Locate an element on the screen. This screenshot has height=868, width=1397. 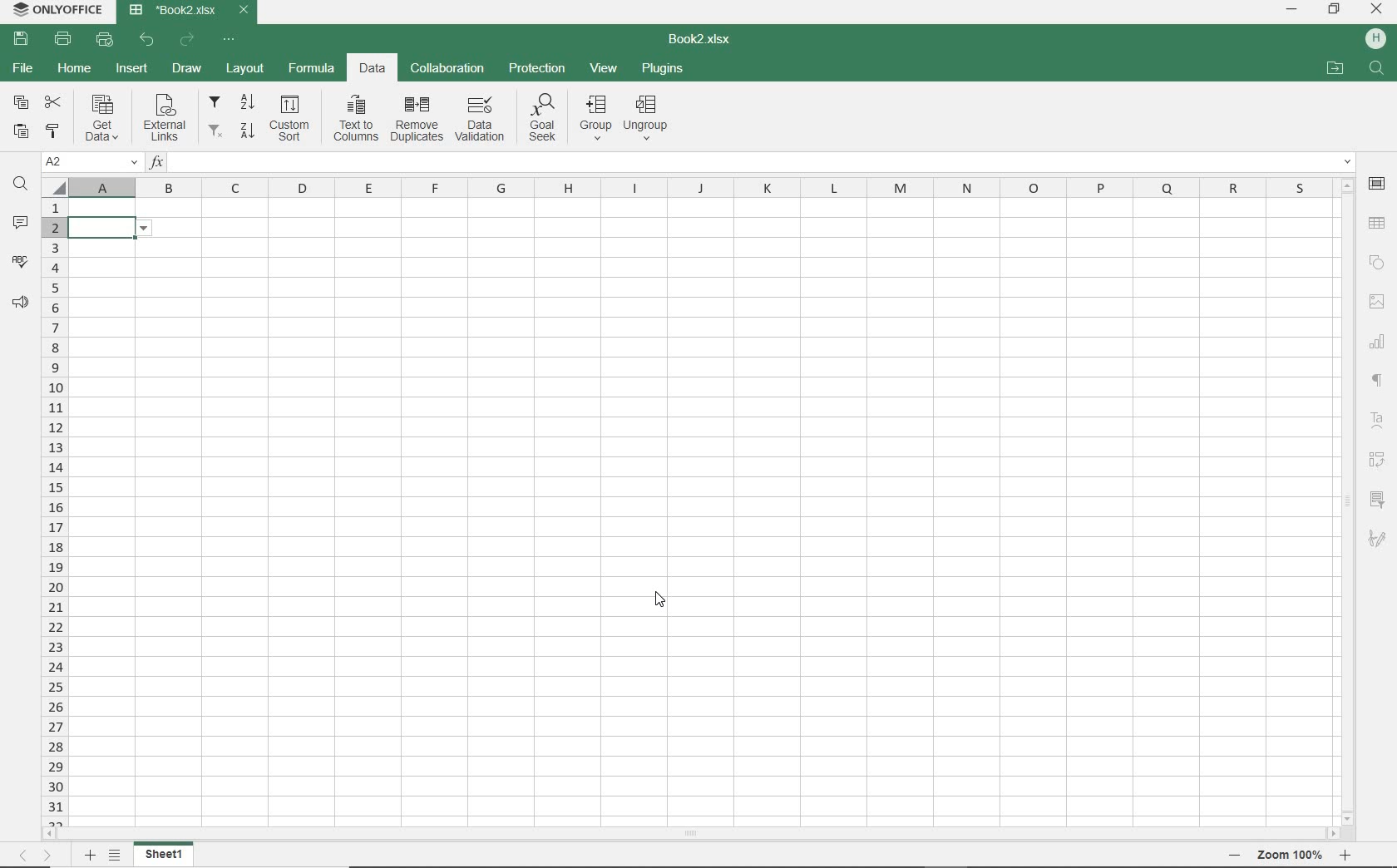
VIEW is located at coordinates (605, 67).